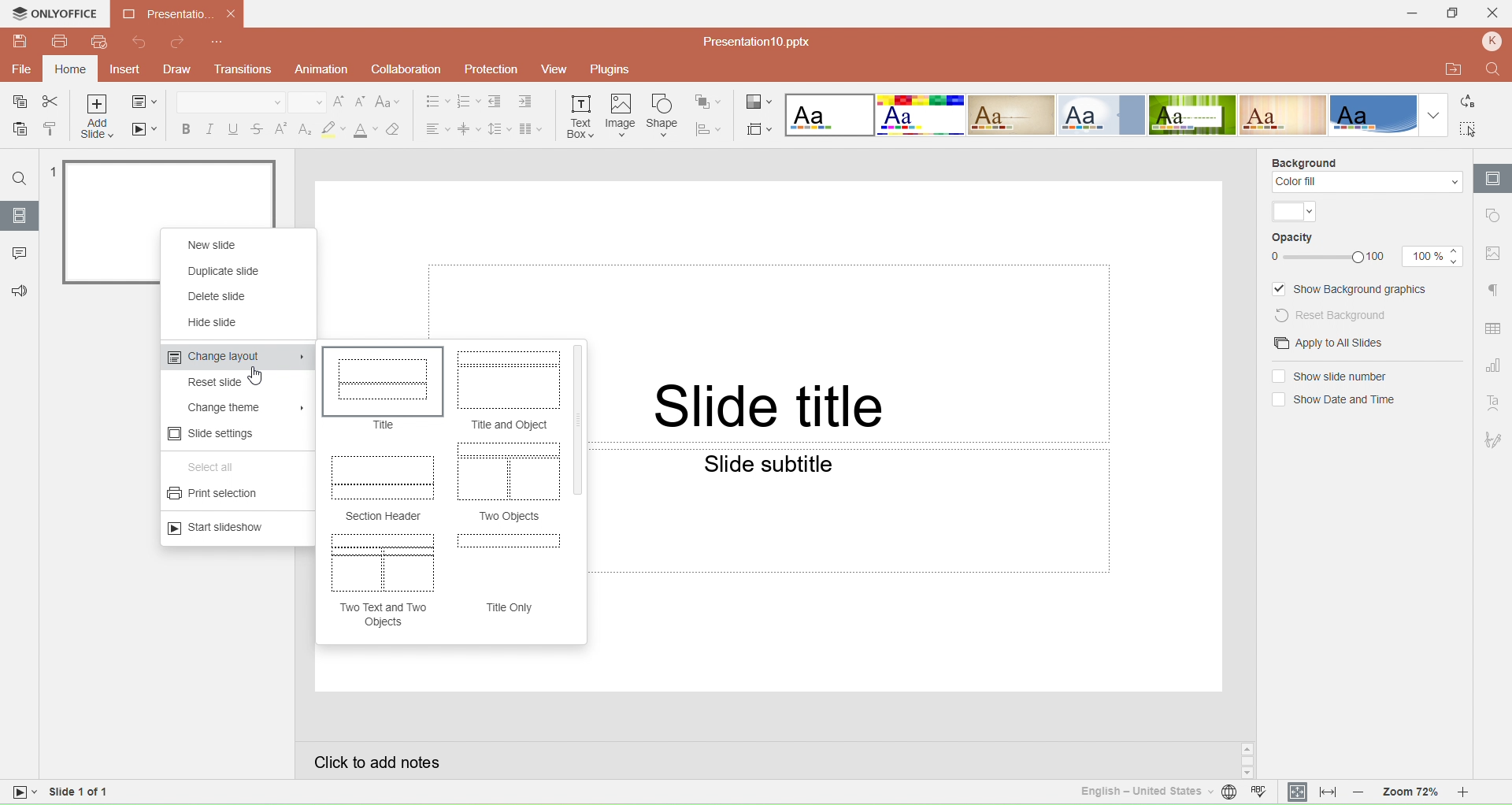  I want to click on Change theme, so click(243, 407).